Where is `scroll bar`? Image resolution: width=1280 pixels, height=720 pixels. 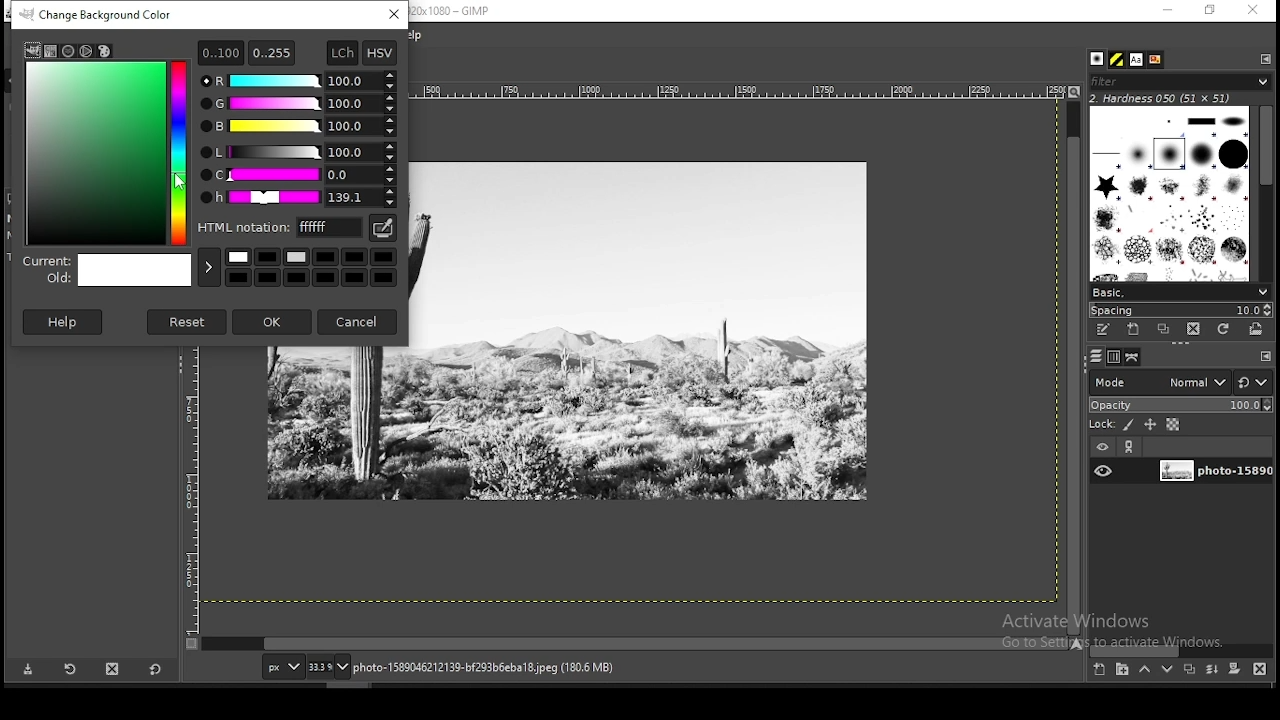
scroll bar is located at coordinates (1266, 191).